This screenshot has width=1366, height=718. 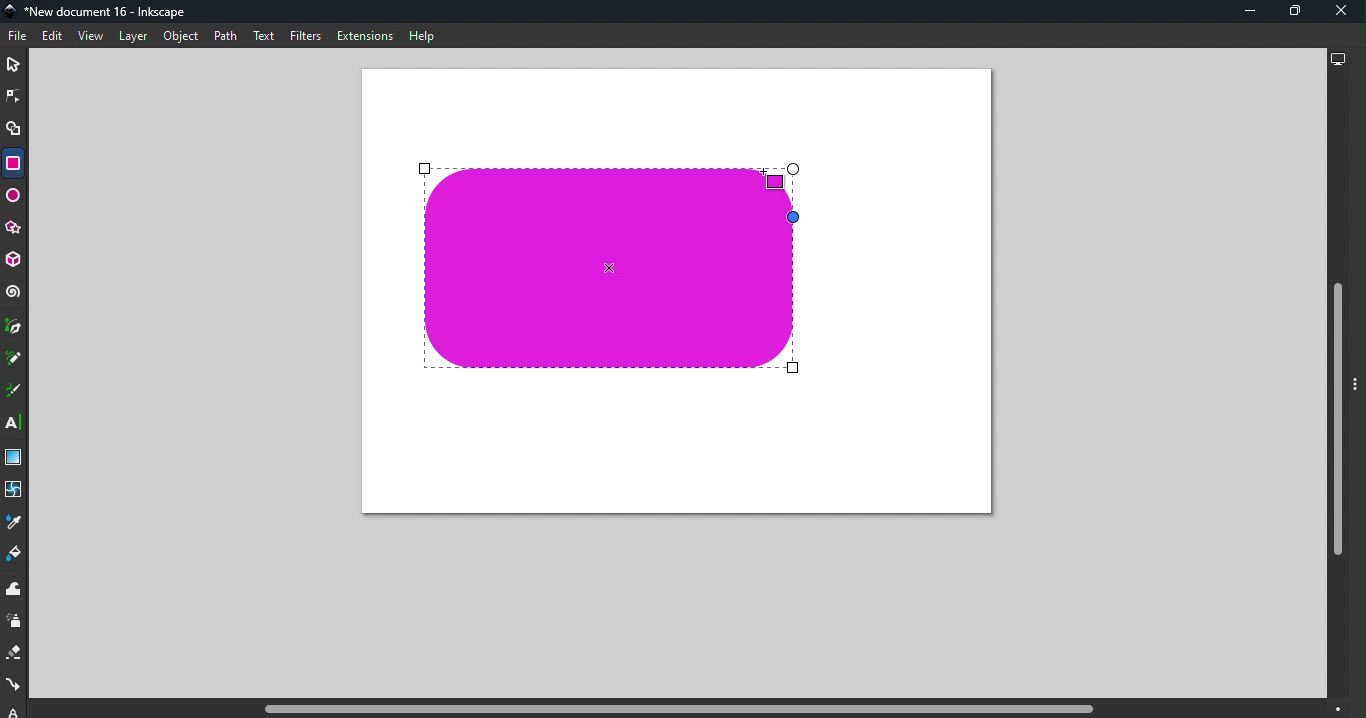 I want to click on Close, so click(x=1341, y=12).